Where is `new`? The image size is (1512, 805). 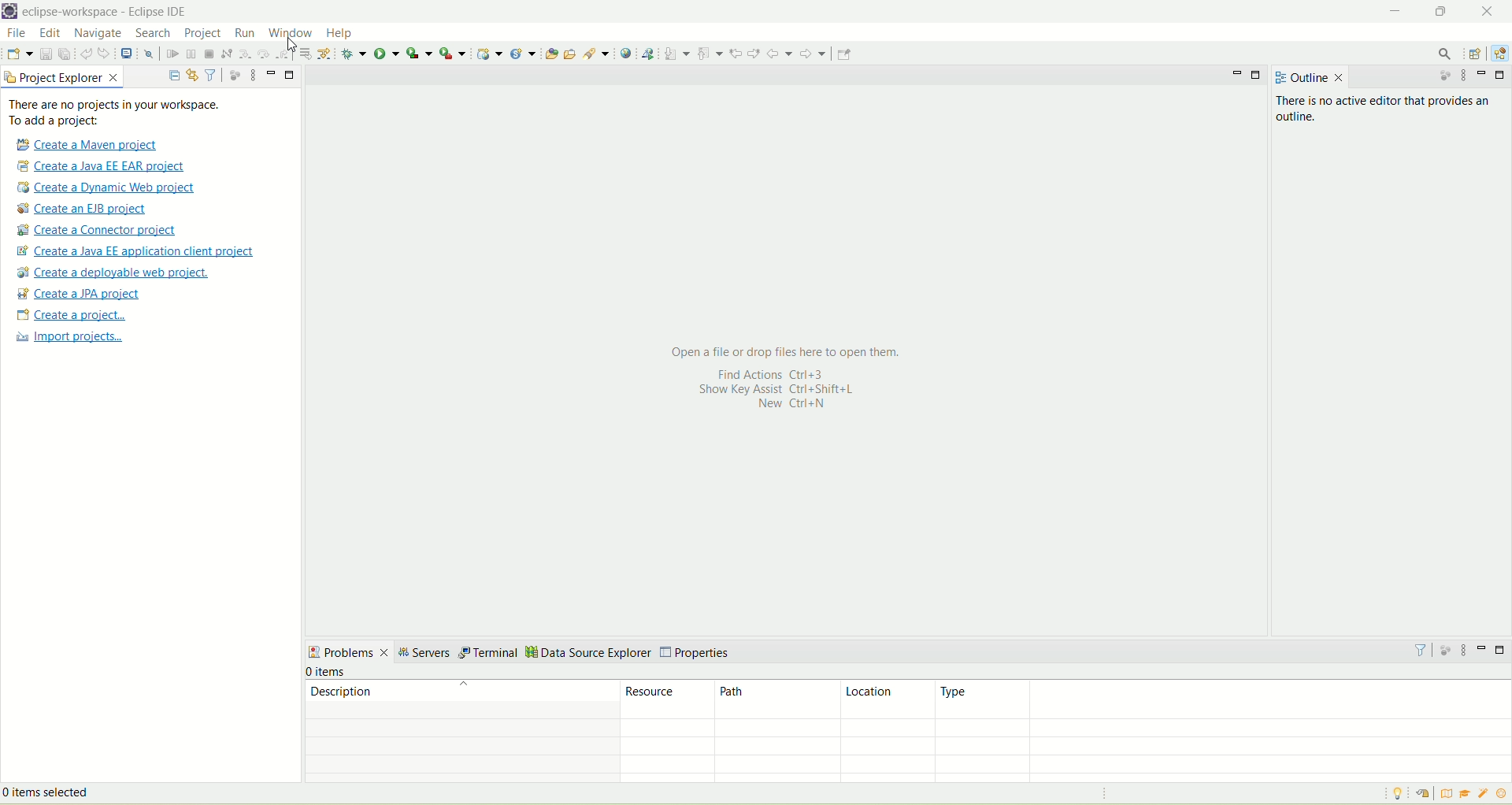 new is located at coordinates (19, 53).